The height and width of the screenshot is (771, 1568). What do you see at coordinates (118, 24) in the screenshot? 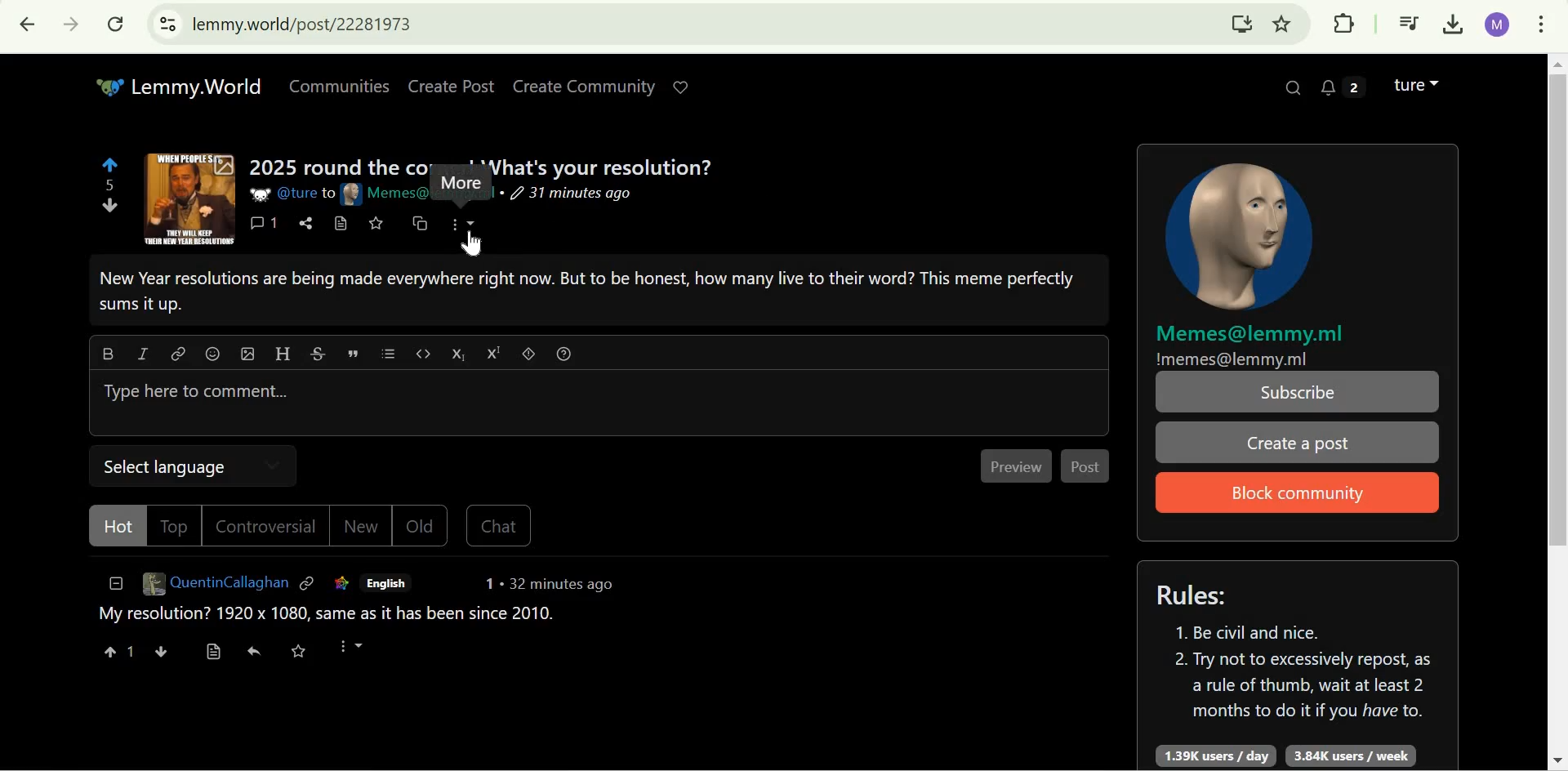
I see `Reload this page` at bounding box center [118, 24].